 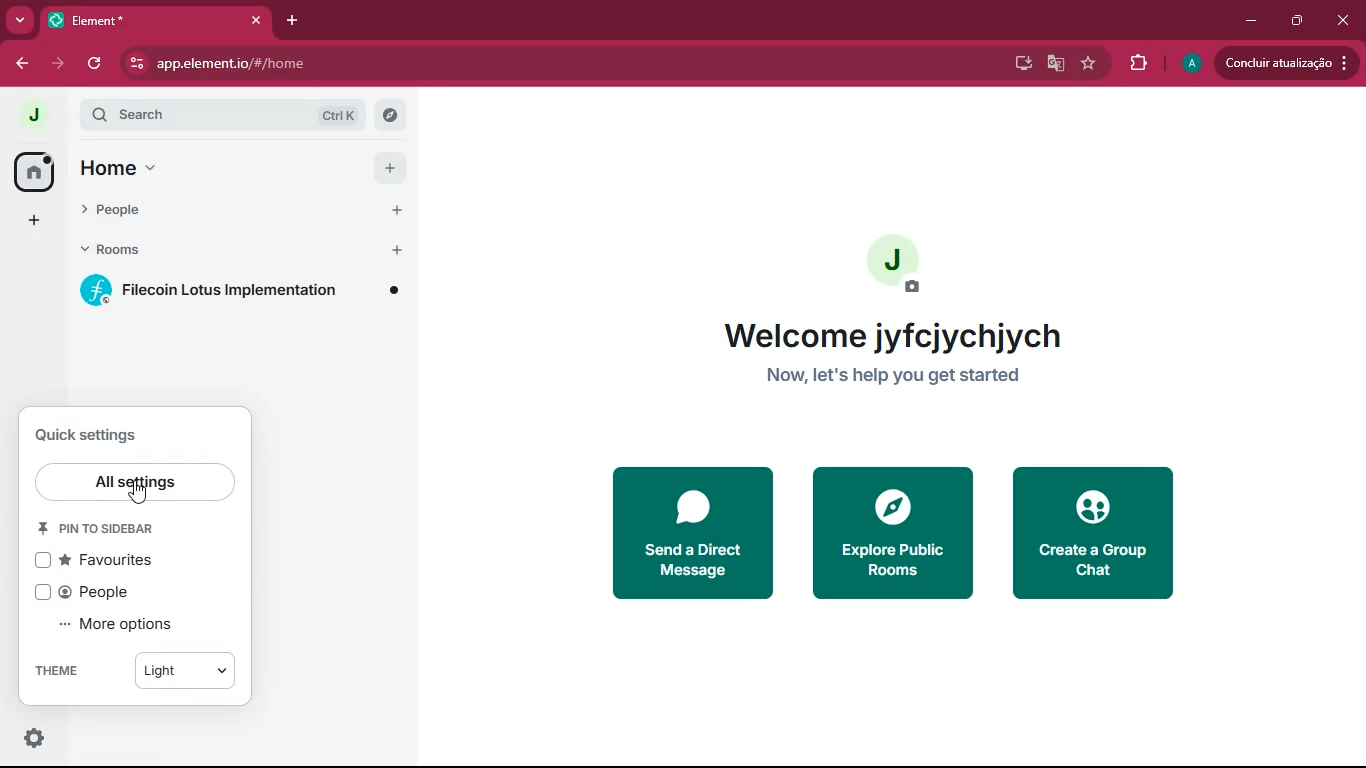 What do you see at coordinates (1056, 63) in the screenshot?
I see `google translate` at bounding box center [1056, 63].